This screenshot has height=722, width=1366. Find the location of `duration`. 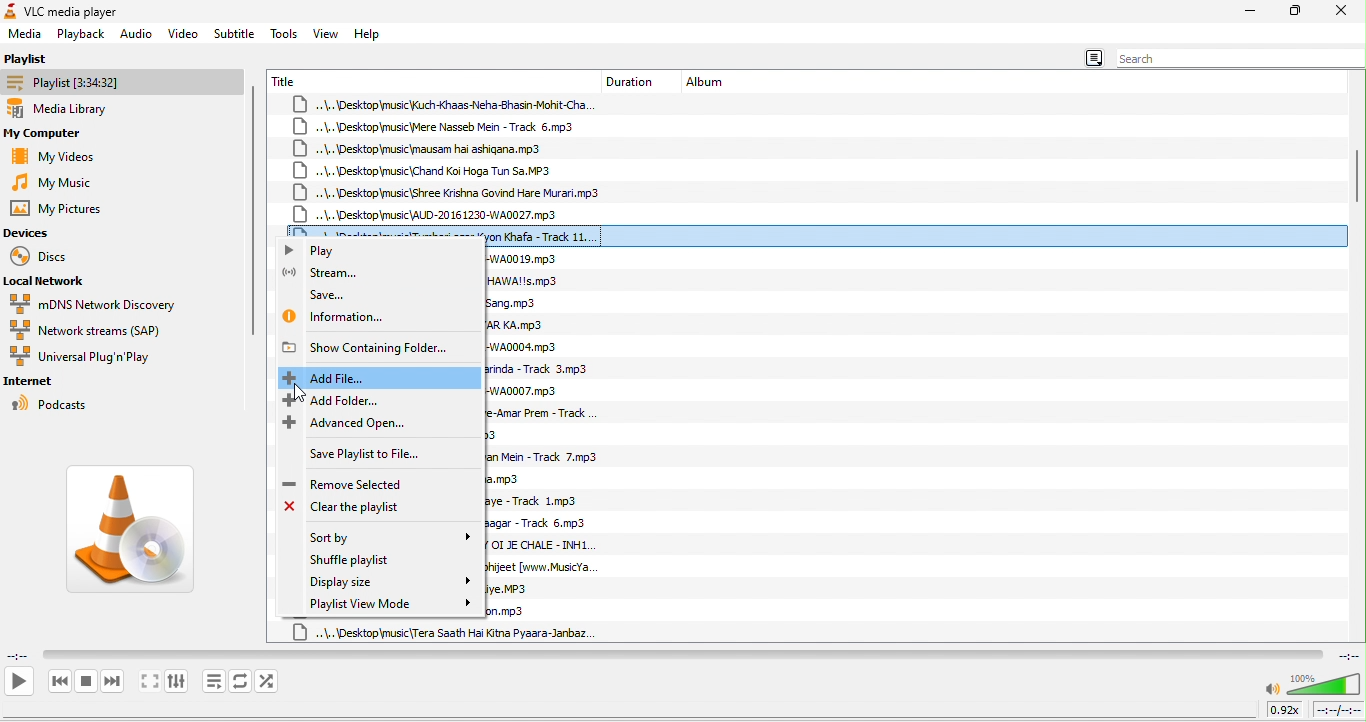

duration is located at coordinates (635, 80).